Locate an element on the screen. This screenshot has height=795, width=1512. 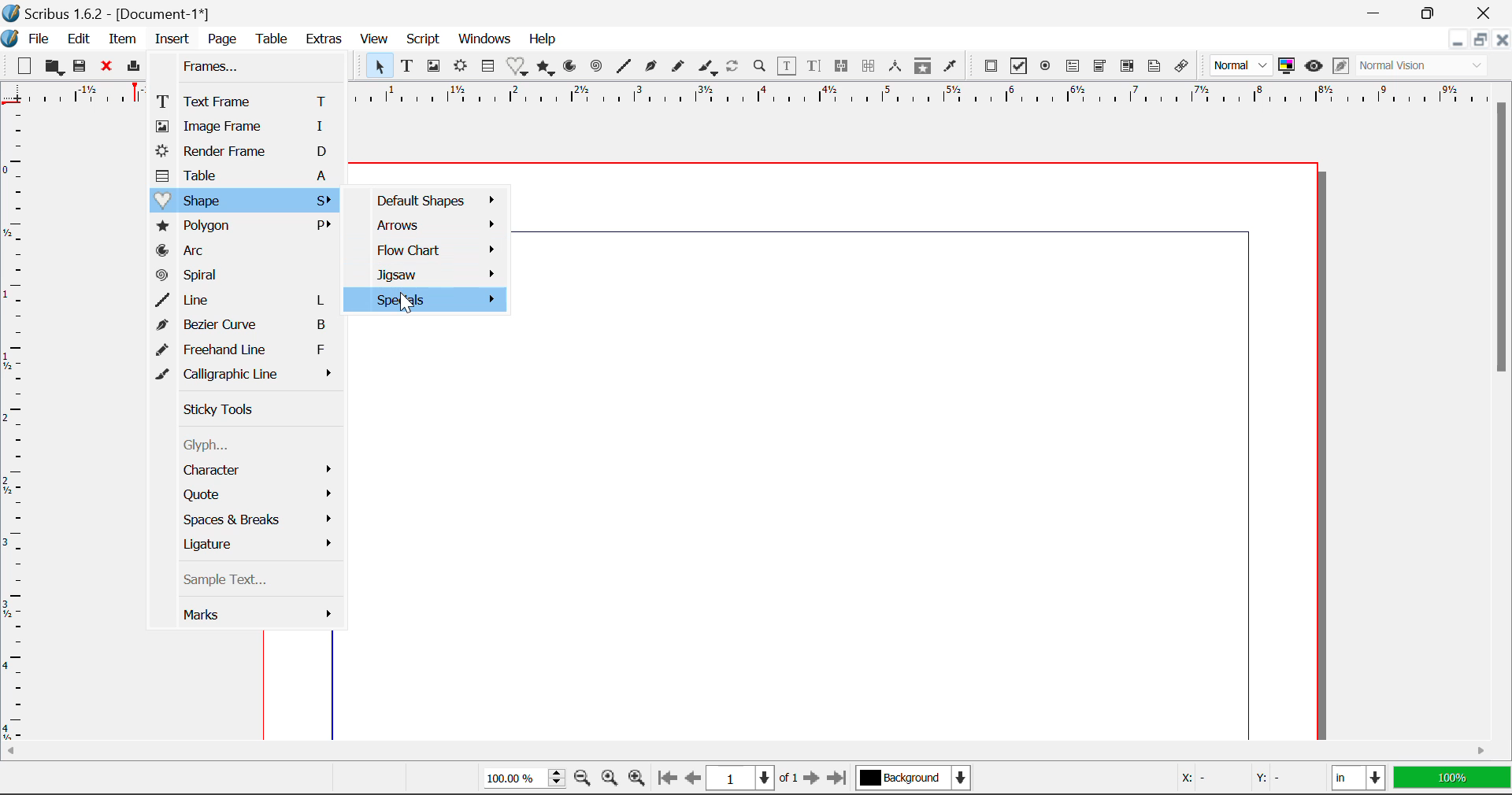
Script is located at coordinates (422, 41).